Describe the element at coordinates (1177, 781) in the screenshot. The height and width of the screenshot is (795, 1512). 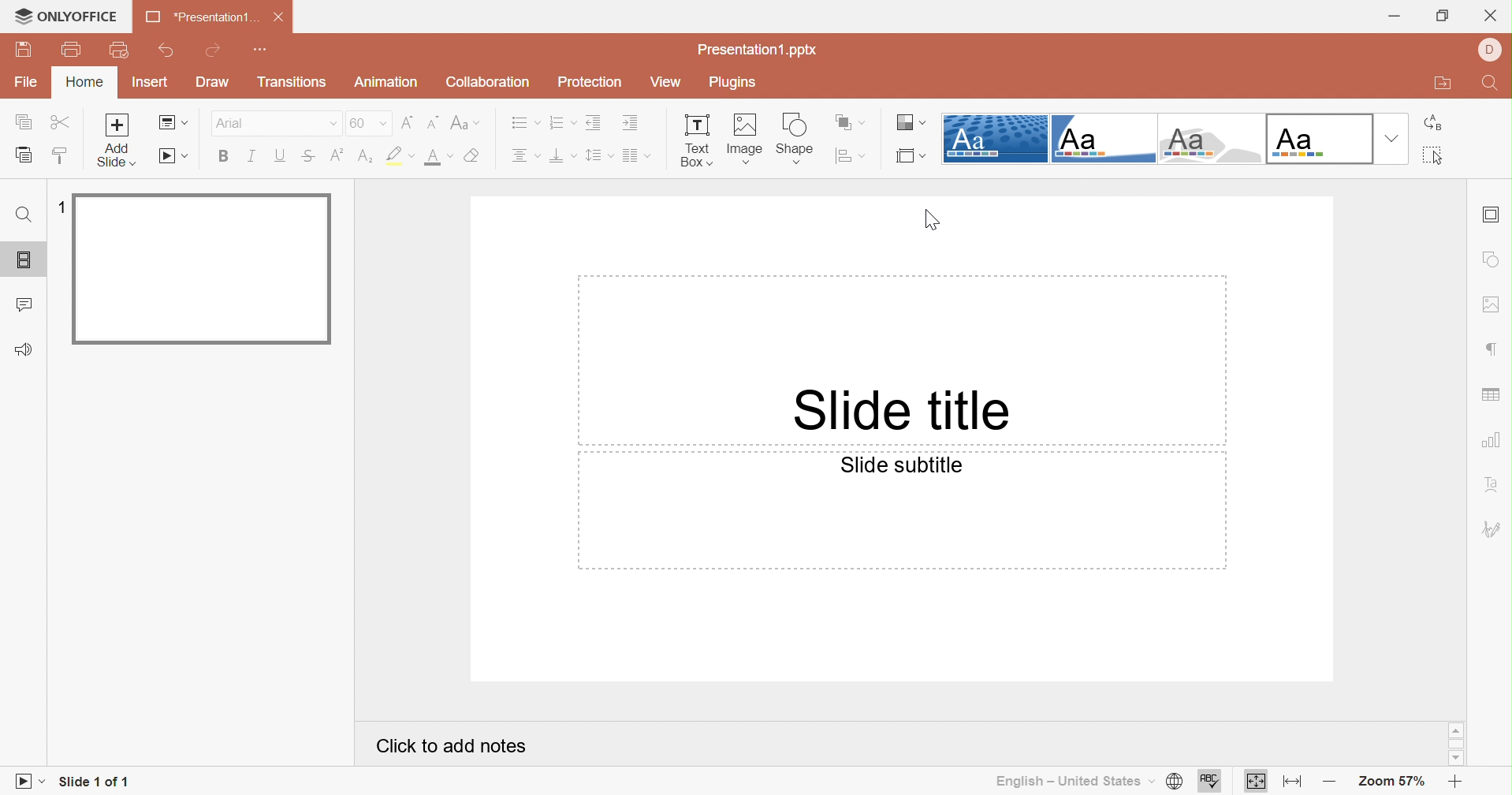
I see `Set document language` at that location.